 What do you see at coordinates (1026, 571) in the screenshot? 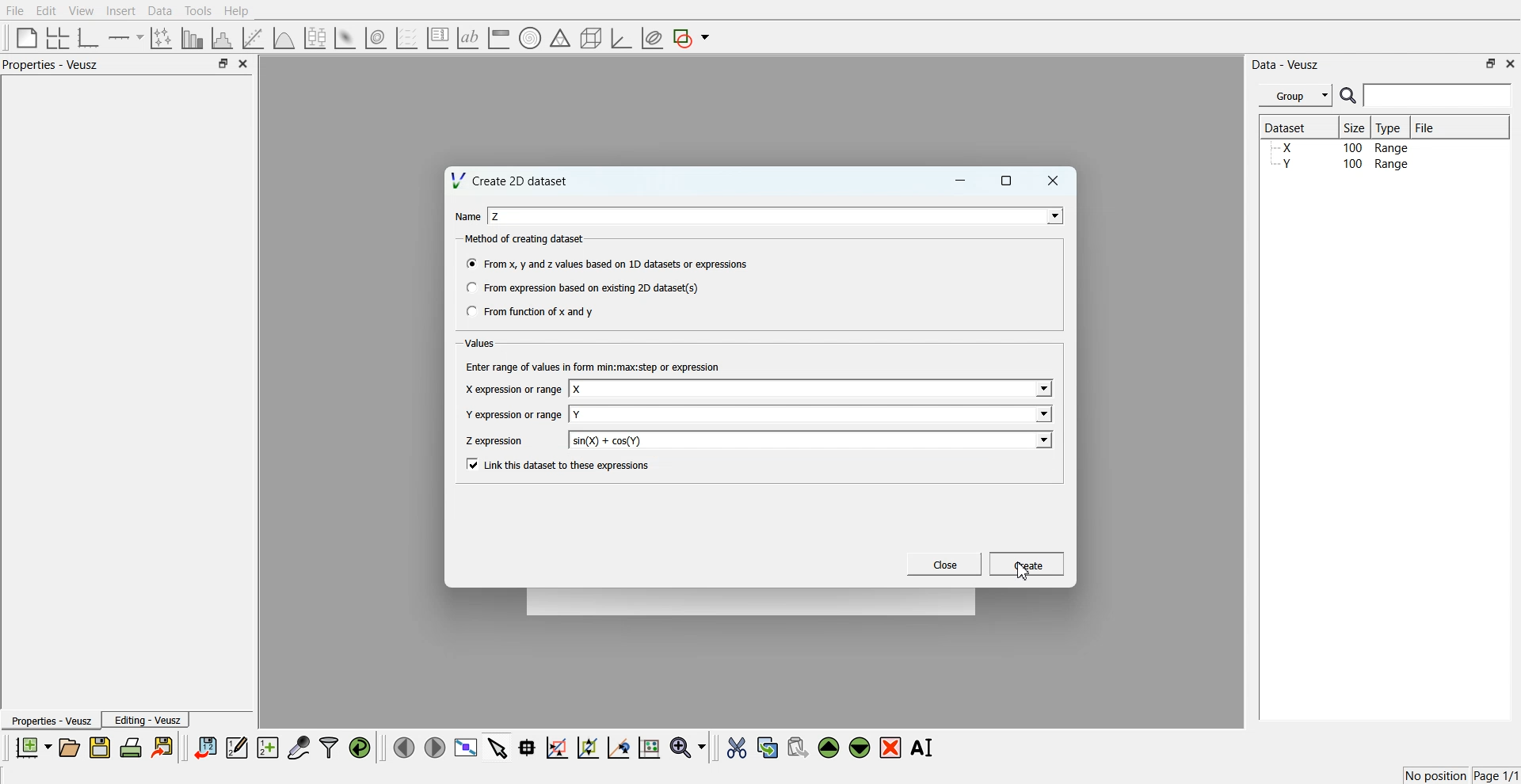
I see `Cursor` at bounding box center [1026, 571].